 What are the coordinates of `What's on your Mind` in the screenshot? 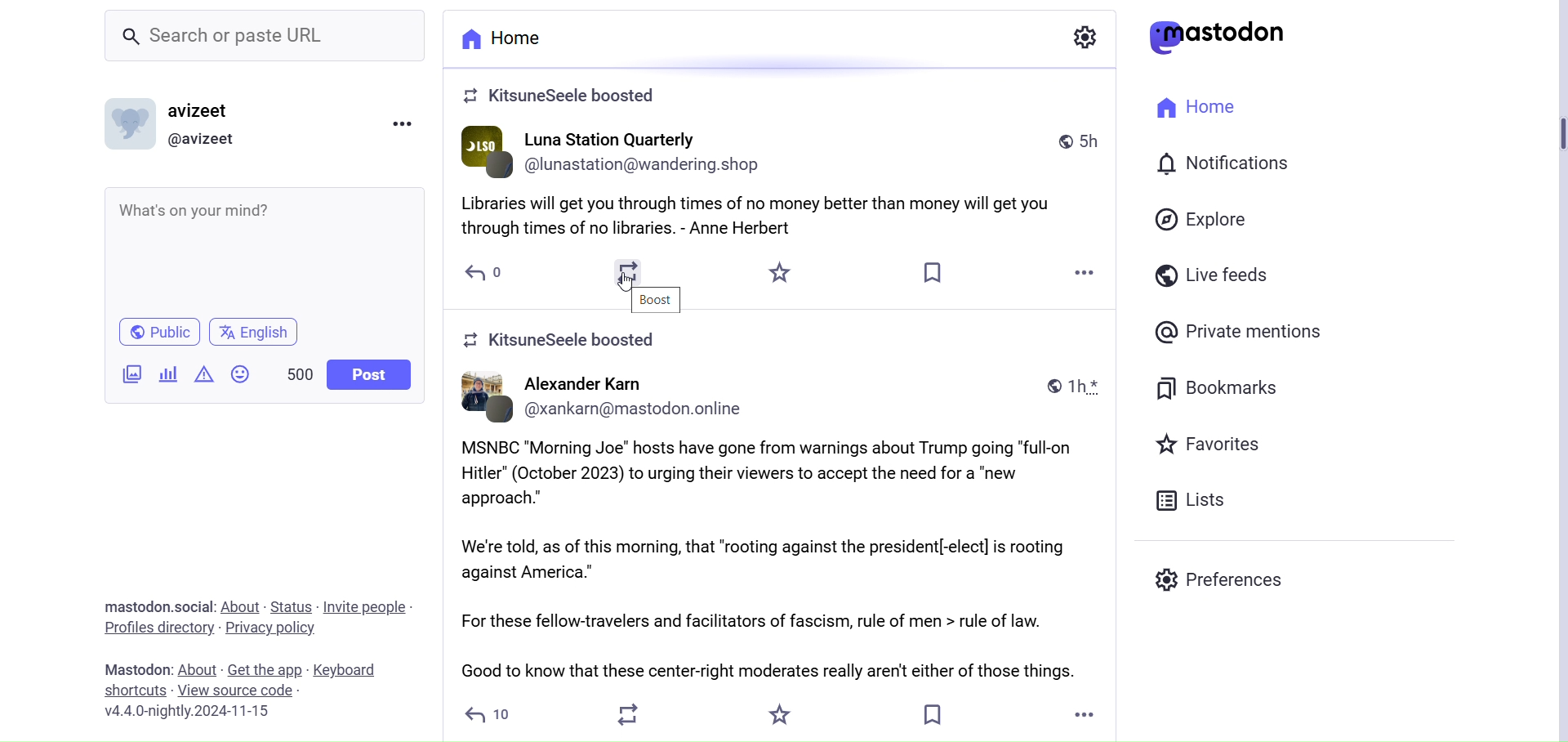 It's located at (269, 250).